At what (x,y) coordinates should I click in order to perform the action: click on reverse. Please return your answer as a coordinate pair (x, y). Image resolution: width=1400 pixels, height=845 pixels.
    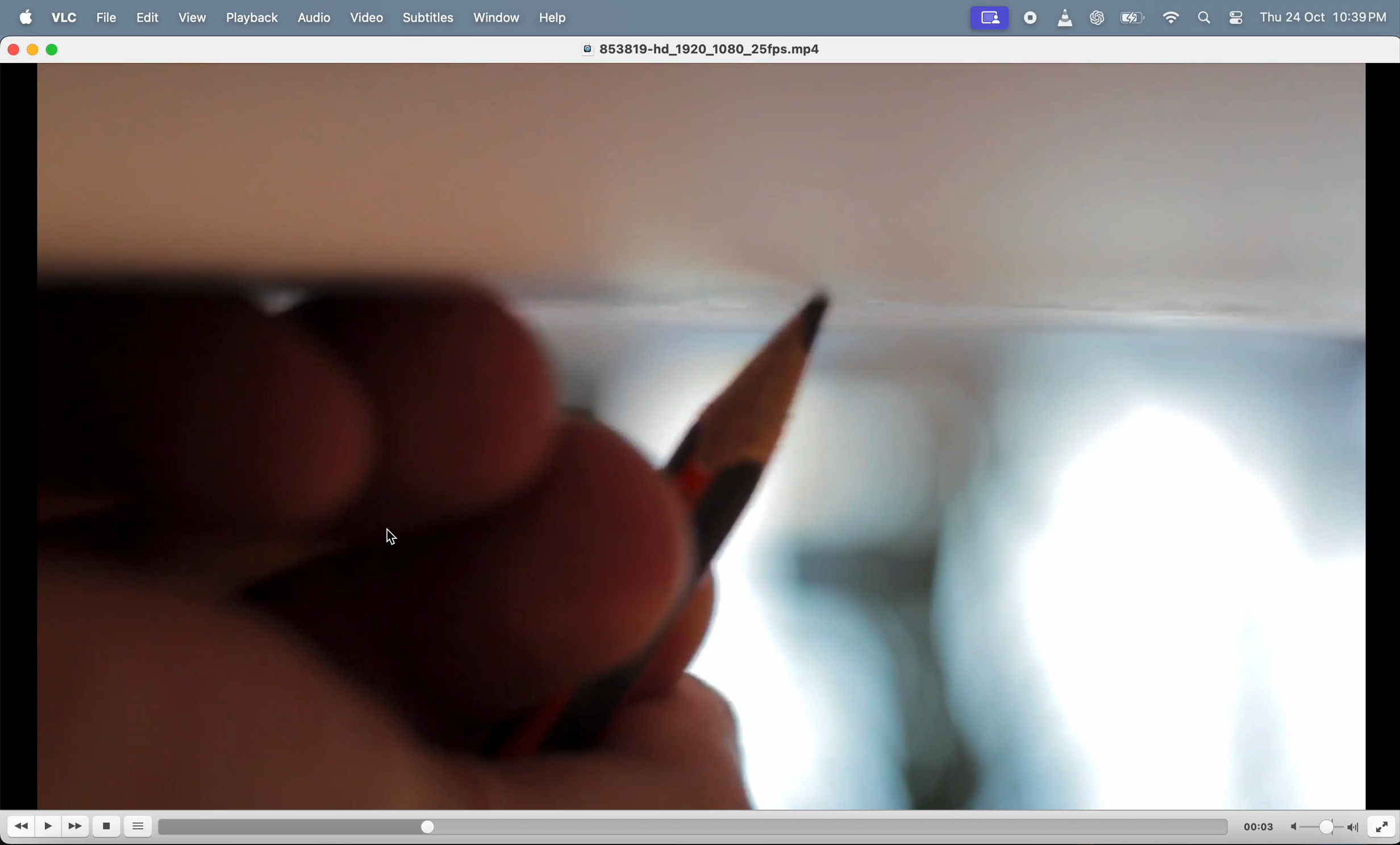
    Looking at the image, I should click on (22, 828).